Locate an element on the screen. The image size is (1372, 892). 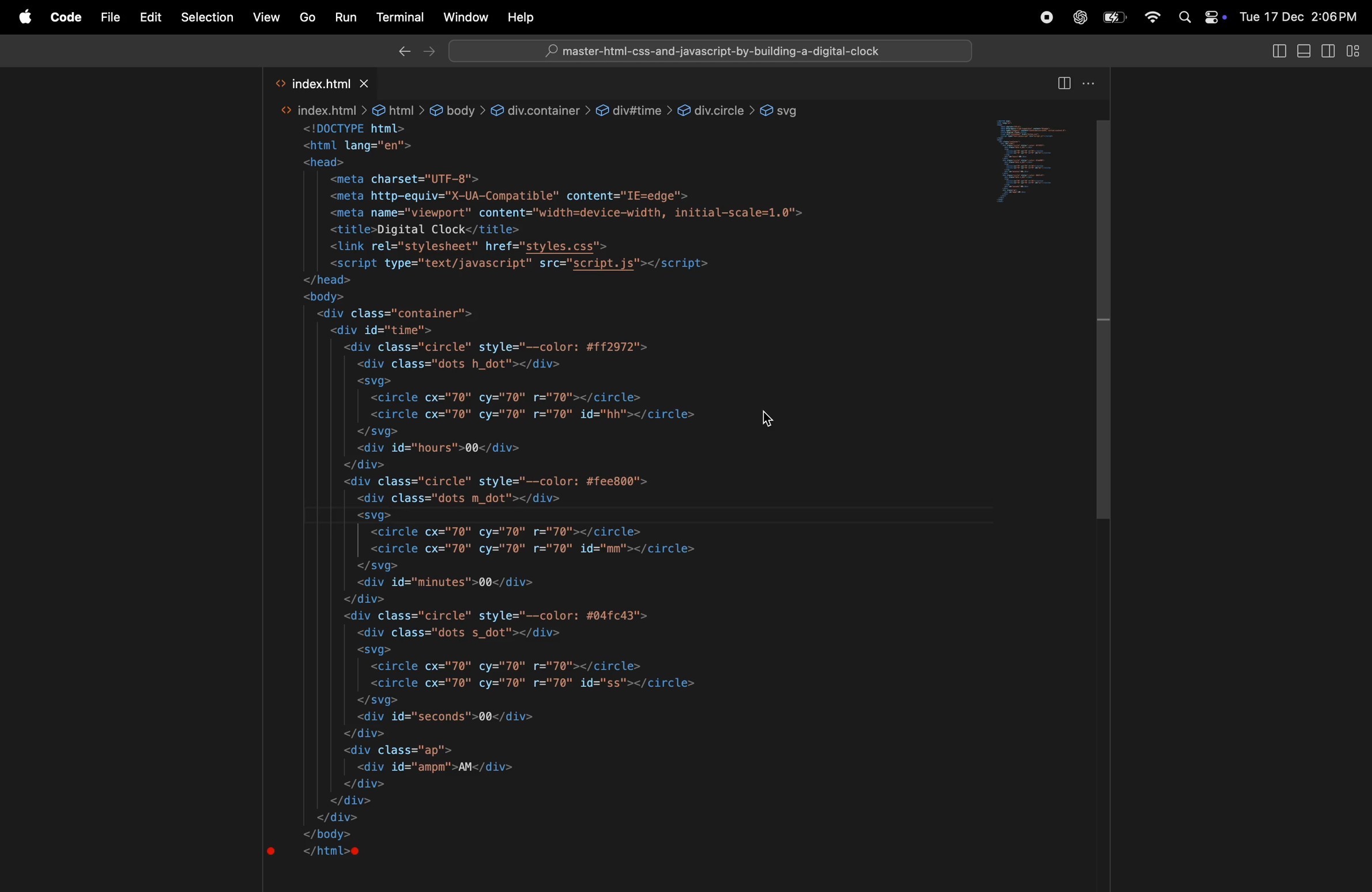
forward is located at coordinates (430, 53).